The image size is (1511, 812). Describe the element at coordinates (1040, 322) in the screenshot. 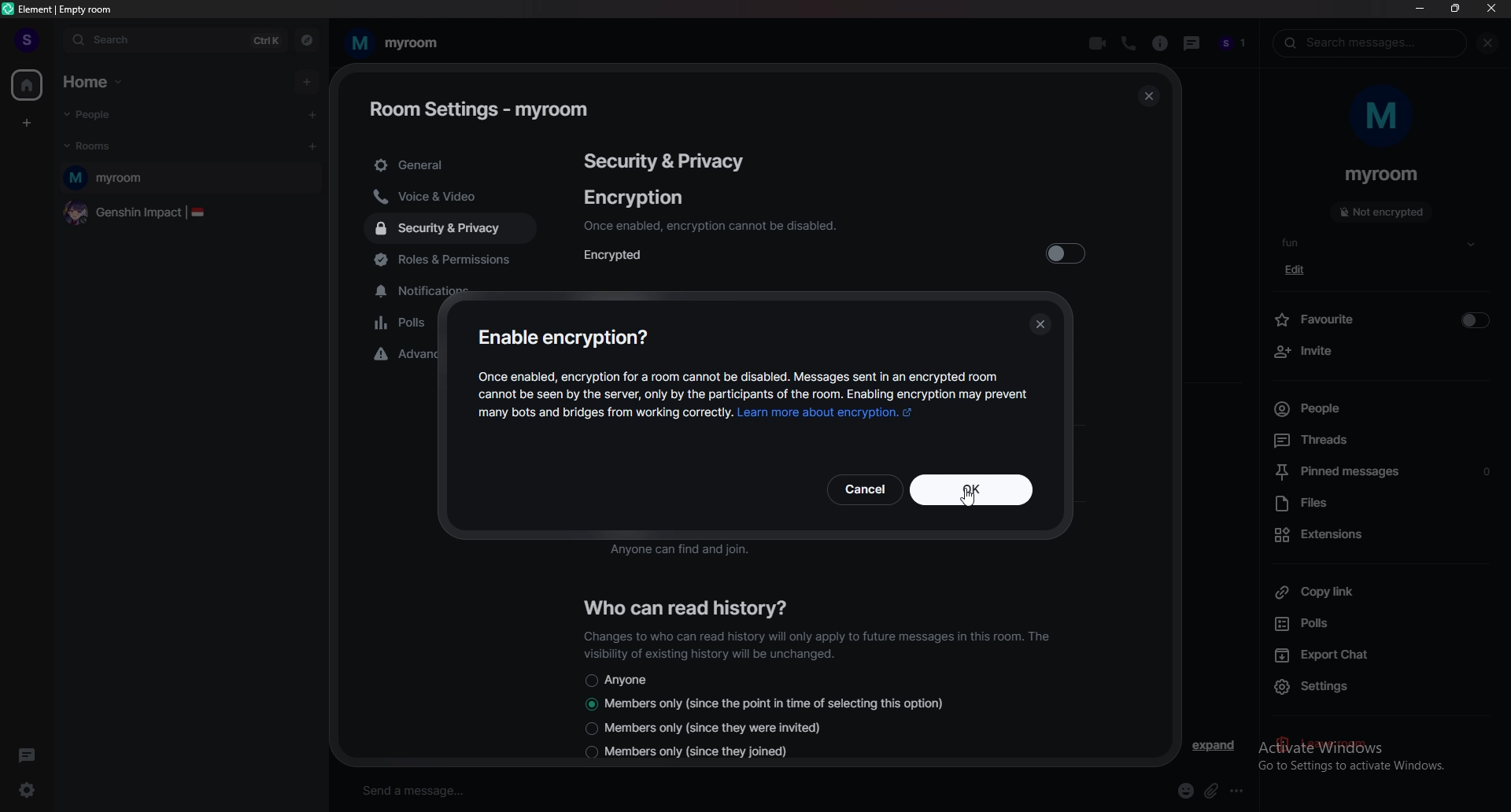

I see `close` at that location.